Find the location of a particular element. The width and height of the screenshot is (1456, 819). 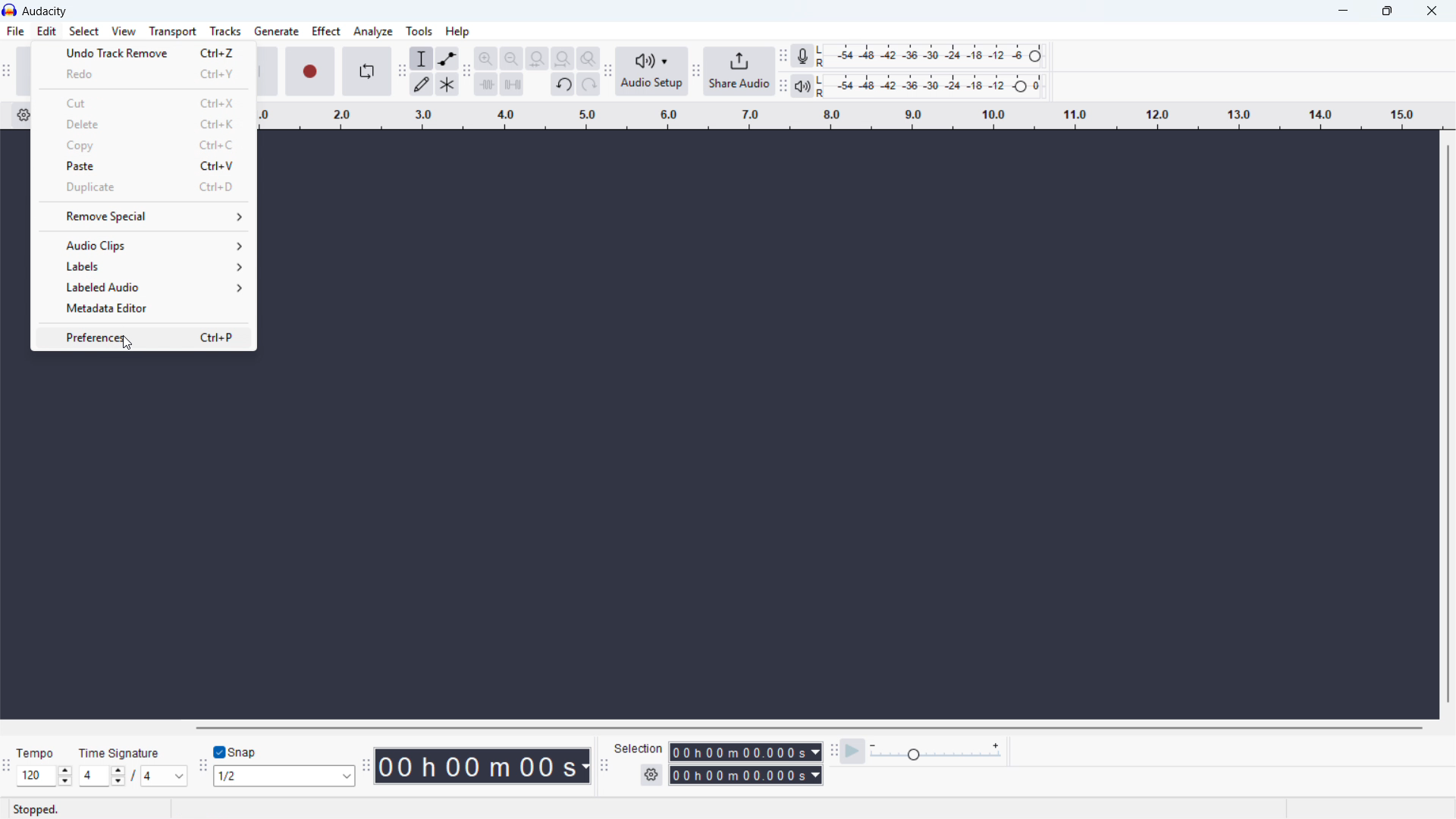

preferences is located at coordinates (142, 337).